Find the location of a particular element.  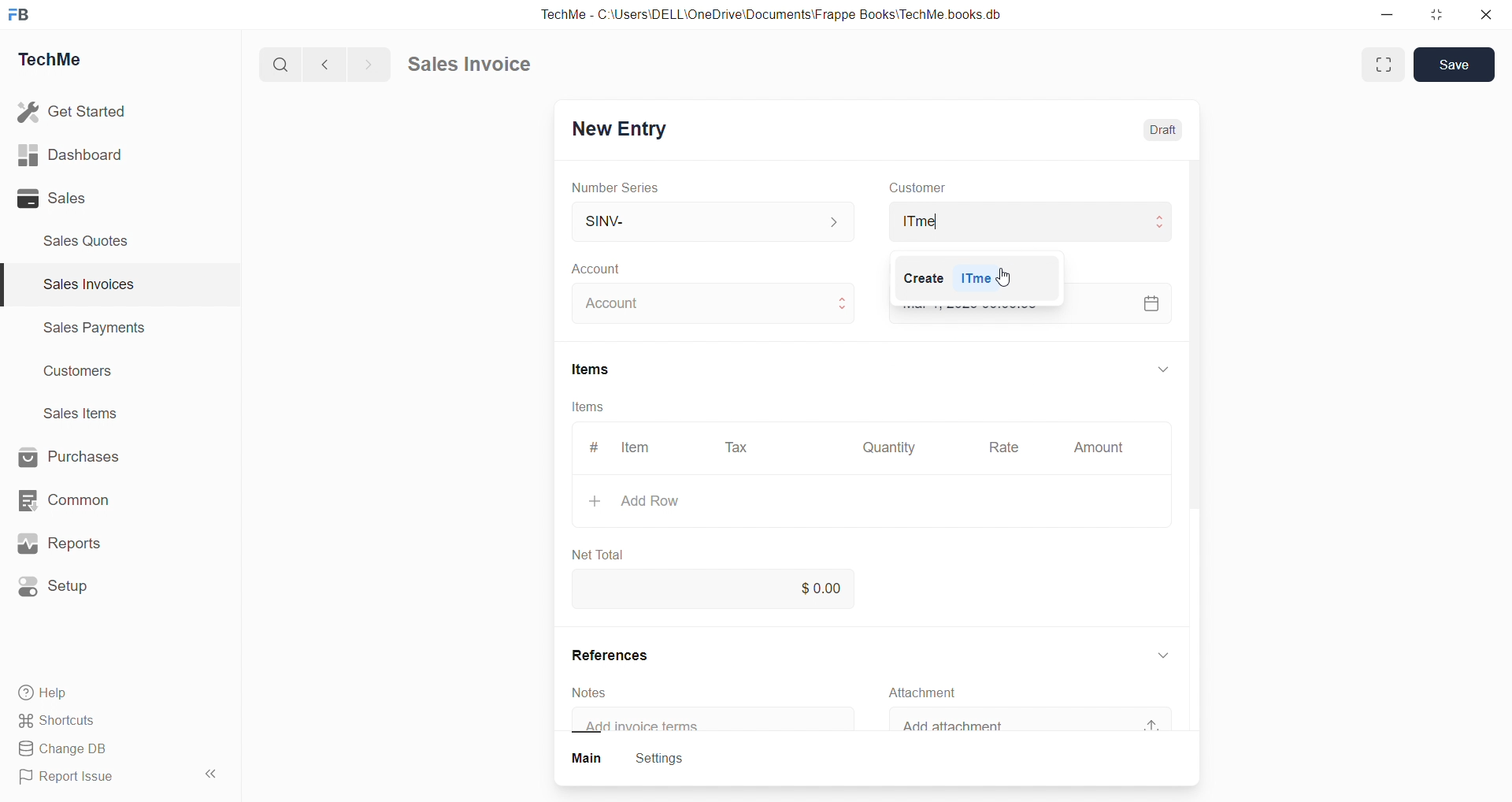

Sales Invoice is located at coordinates (476, 66).